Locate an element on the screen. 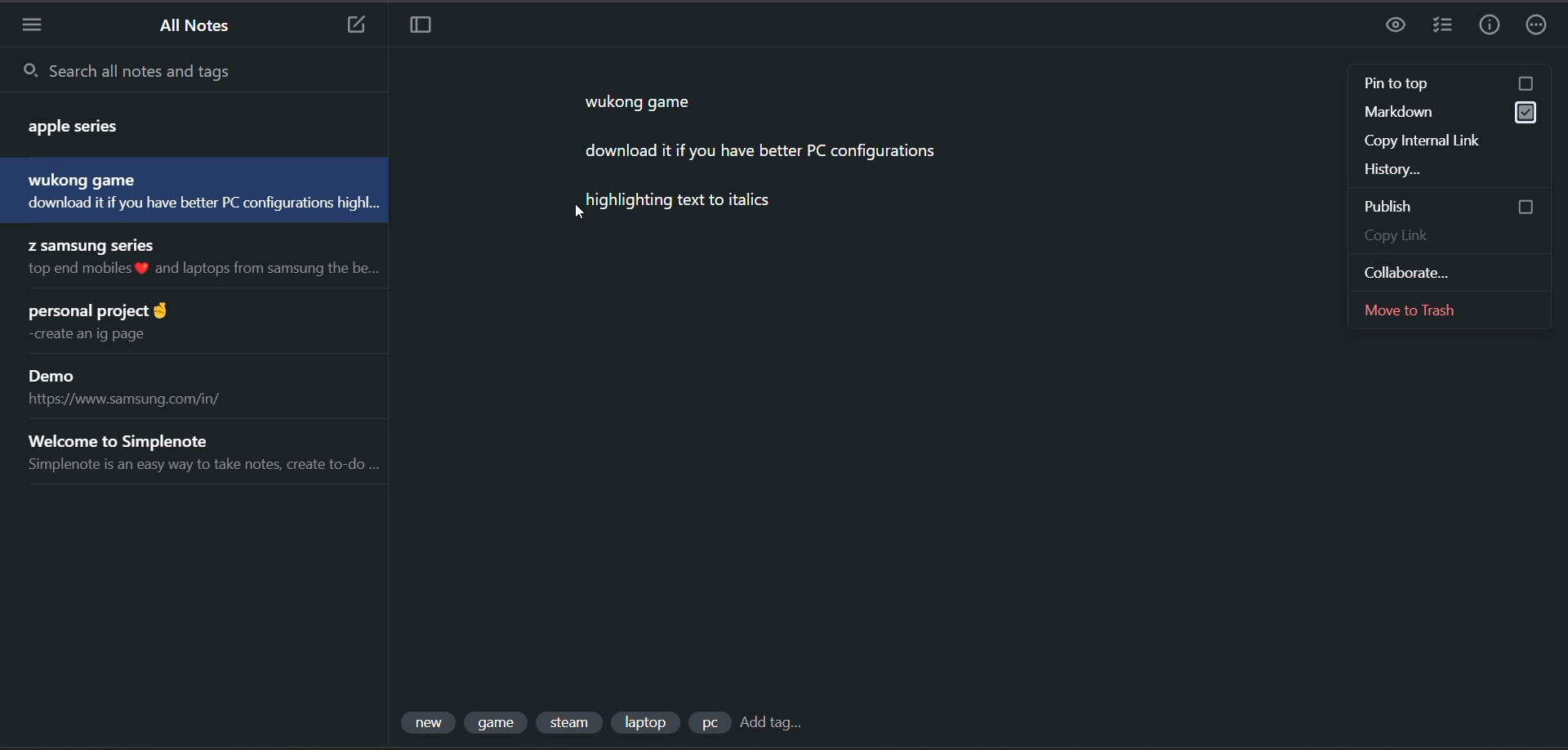 The width and height of the screenshot is (1568, 750). note title and preview is located at coordinates (143, 389).